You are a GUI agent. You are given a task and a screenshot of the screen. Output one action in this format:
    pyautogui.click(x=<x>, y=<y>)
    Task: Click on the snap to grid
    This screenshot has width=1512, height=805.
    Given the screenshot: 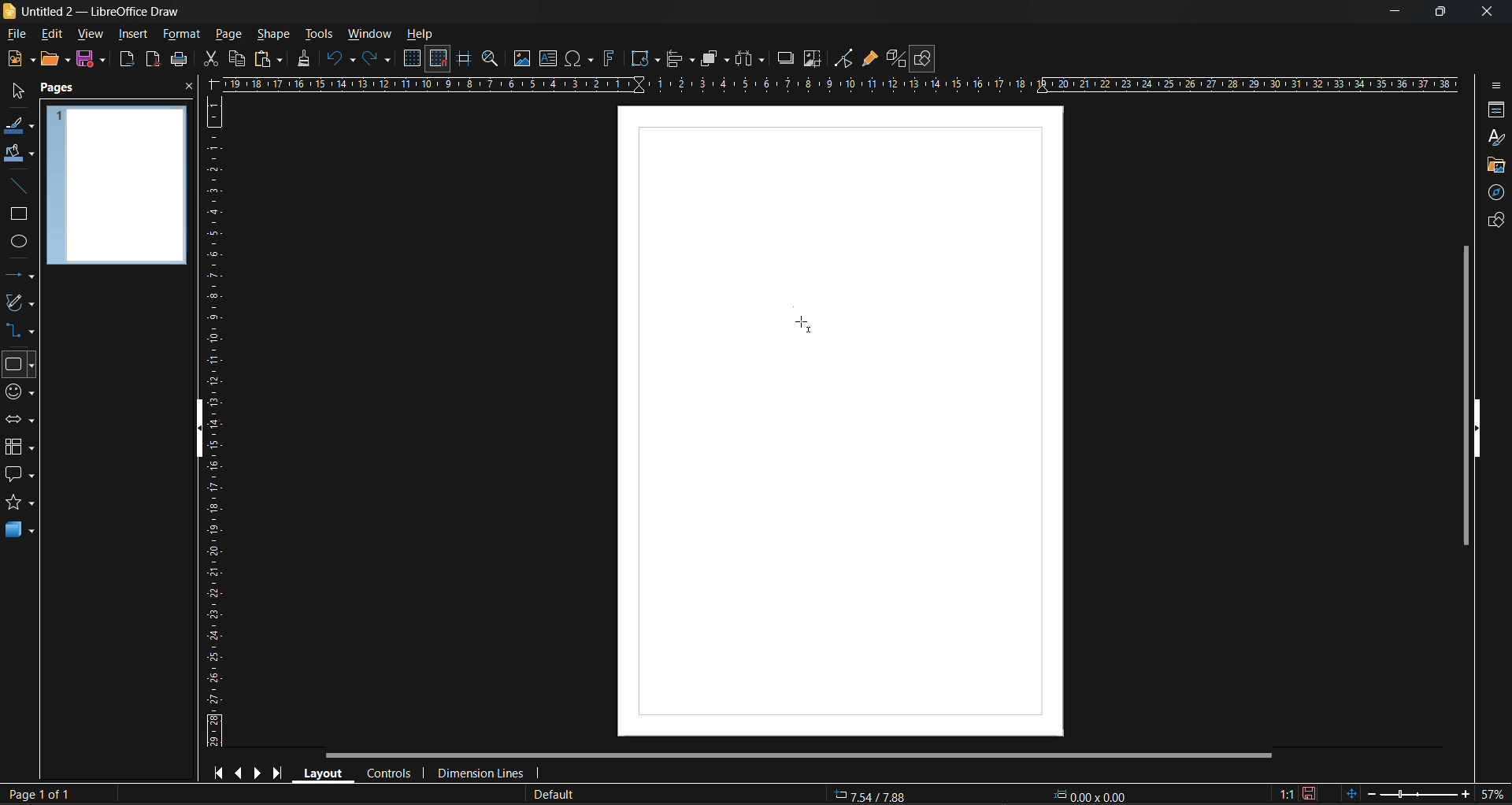 What is the action you would take?
    pyautogui.click(x=439, y=59)
    